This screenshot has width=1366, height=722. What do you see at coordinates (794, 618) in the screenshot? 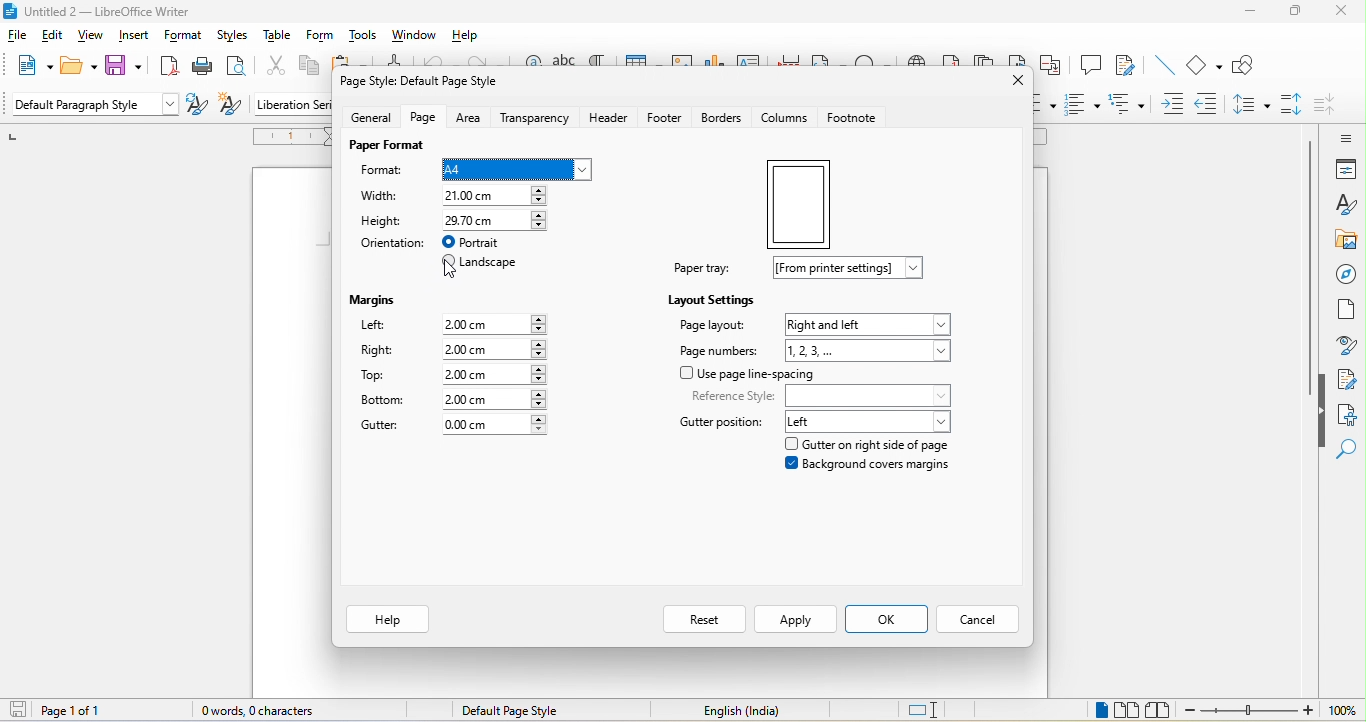
I see `apply` at bounding box center [794, 618].